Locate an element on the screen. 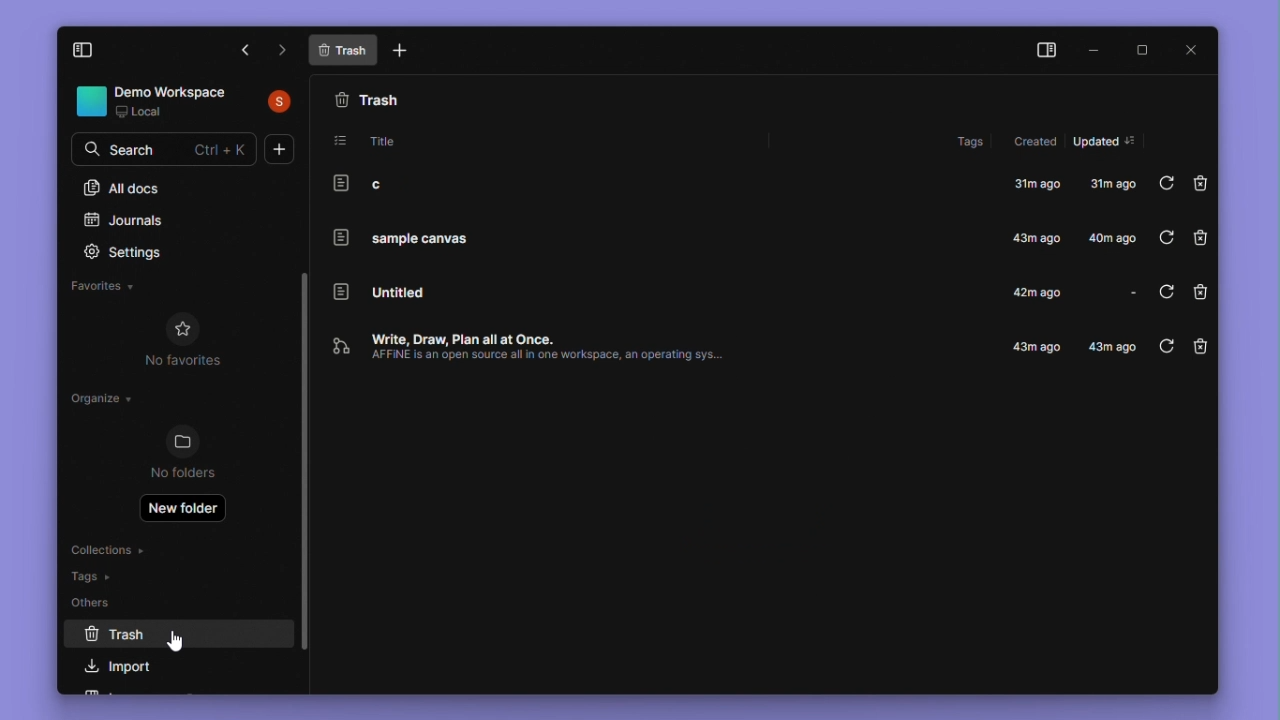 The width and height of the screenshot is (1280, 720). restore is located at coordinates (1166, 184).